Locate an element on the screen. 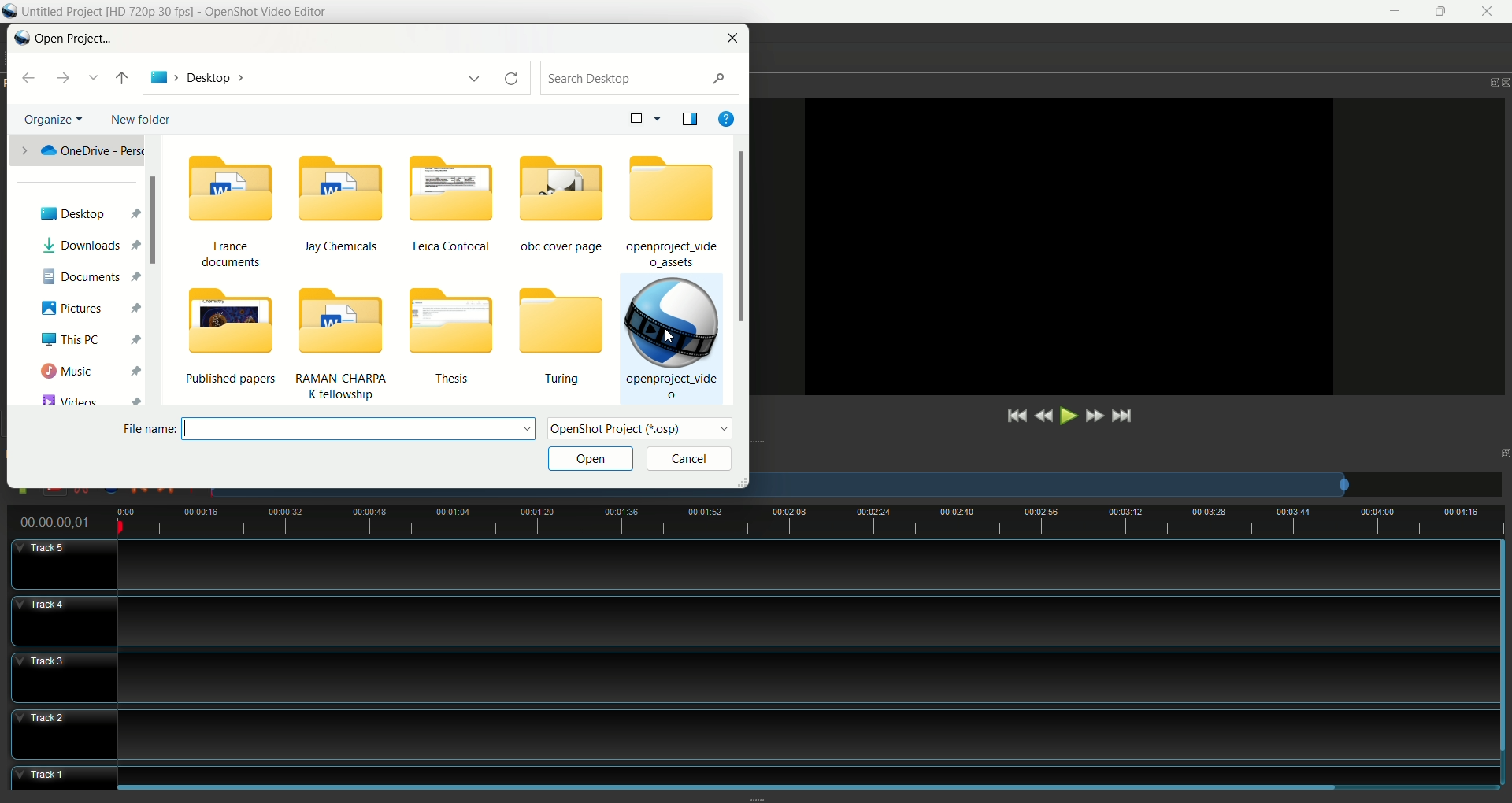 This screenshot has width=1512, height=803. track 3 is located at coordinates (750, 677).